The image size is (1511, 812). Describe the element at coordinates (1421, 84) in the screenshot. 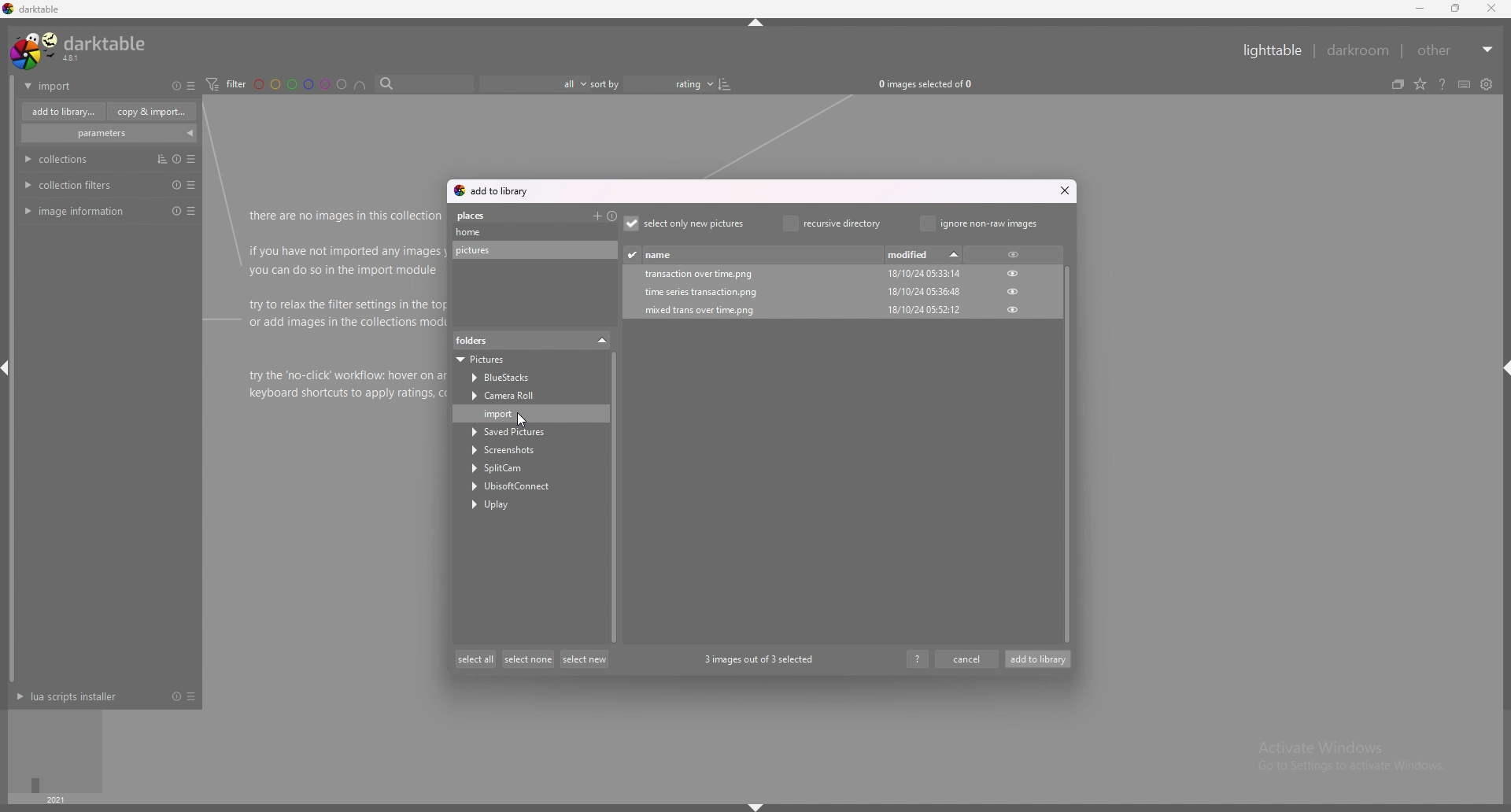

I see `change type of overlays` at that location.